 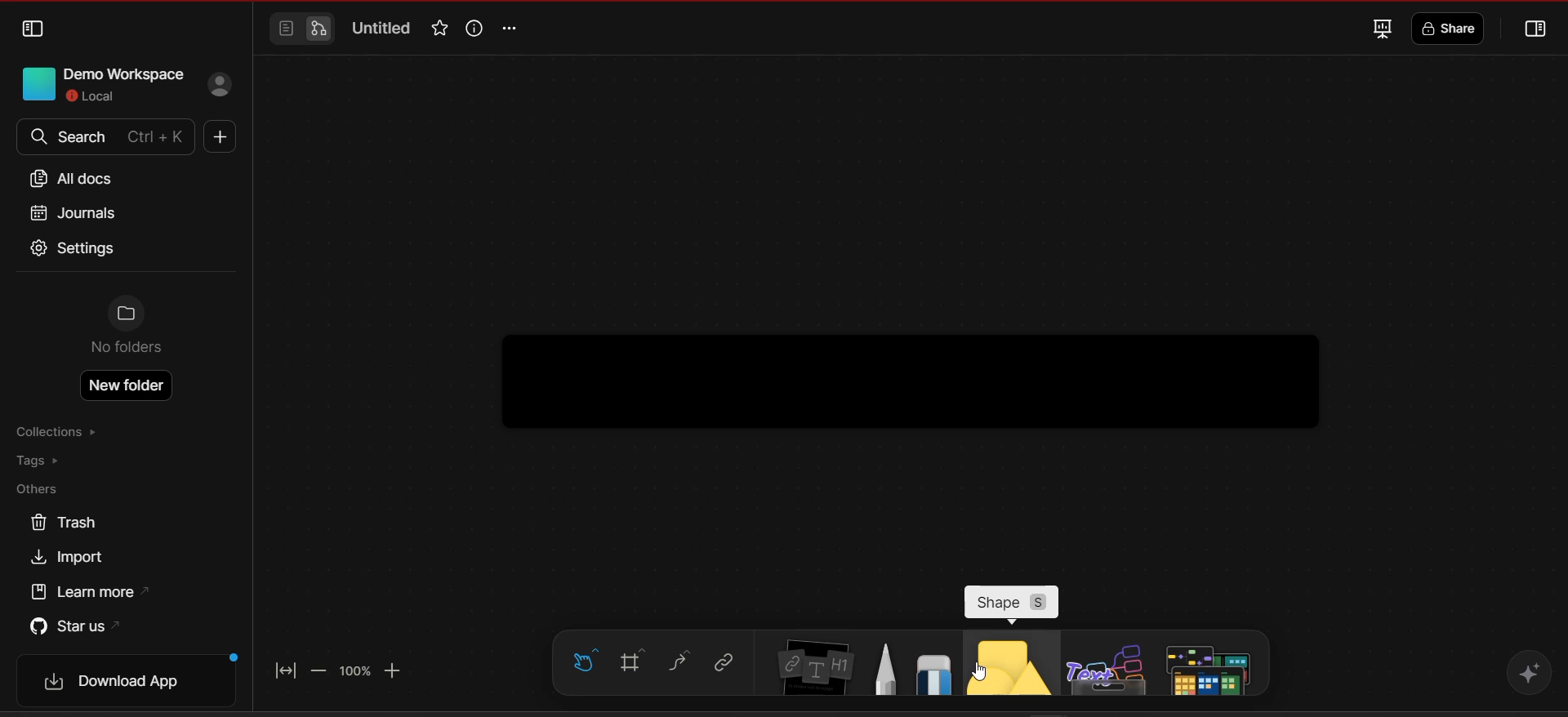 I want to click on all docs, so click(x=78, y=179).